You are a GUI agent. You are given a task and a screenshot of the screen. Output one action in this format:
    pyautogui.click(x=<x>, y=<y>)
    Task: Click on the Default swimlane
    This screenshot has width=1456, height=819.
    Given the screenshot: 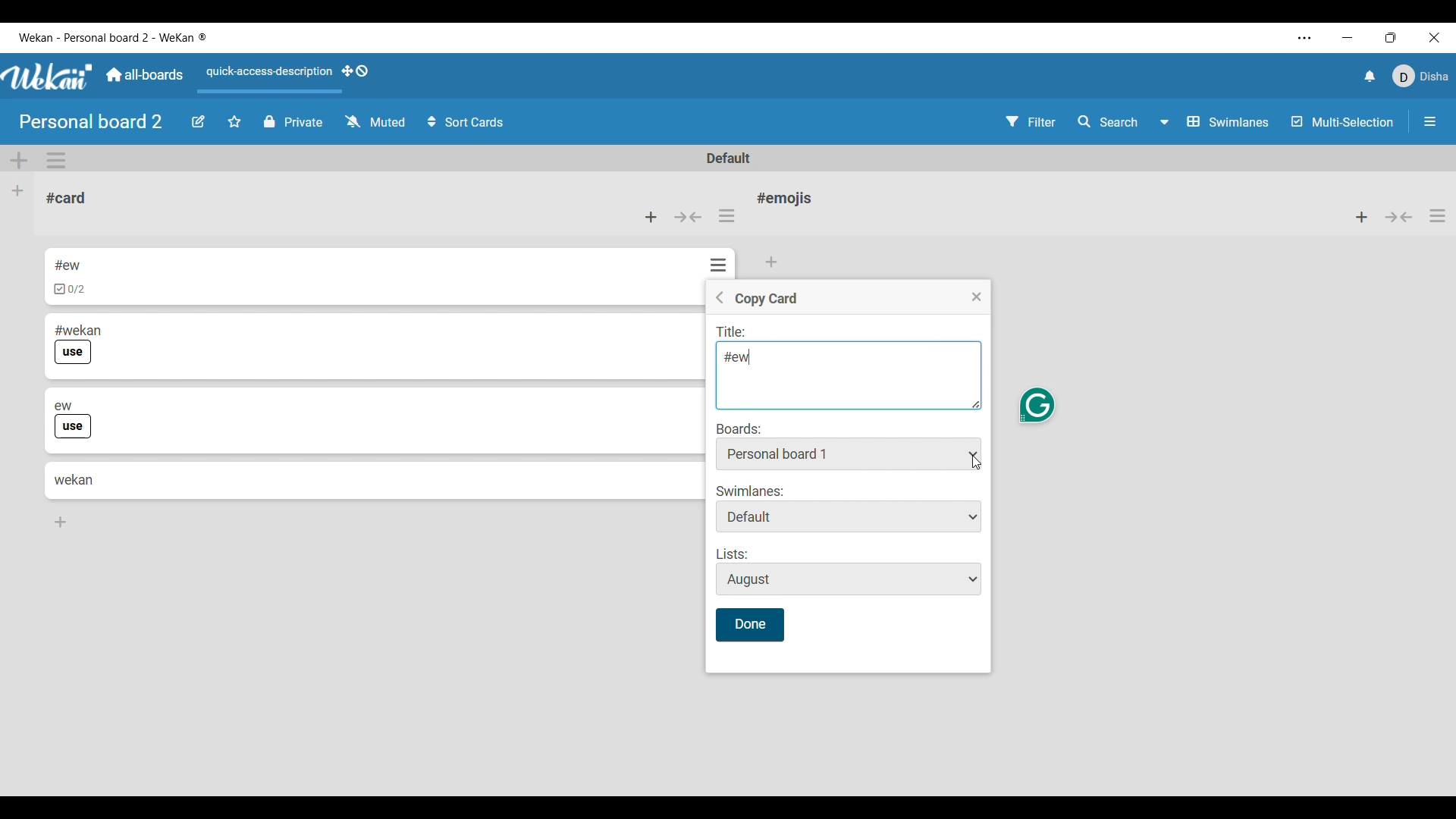 What is the action you would take?
    pyautogui.click(x=730, y=158)
    